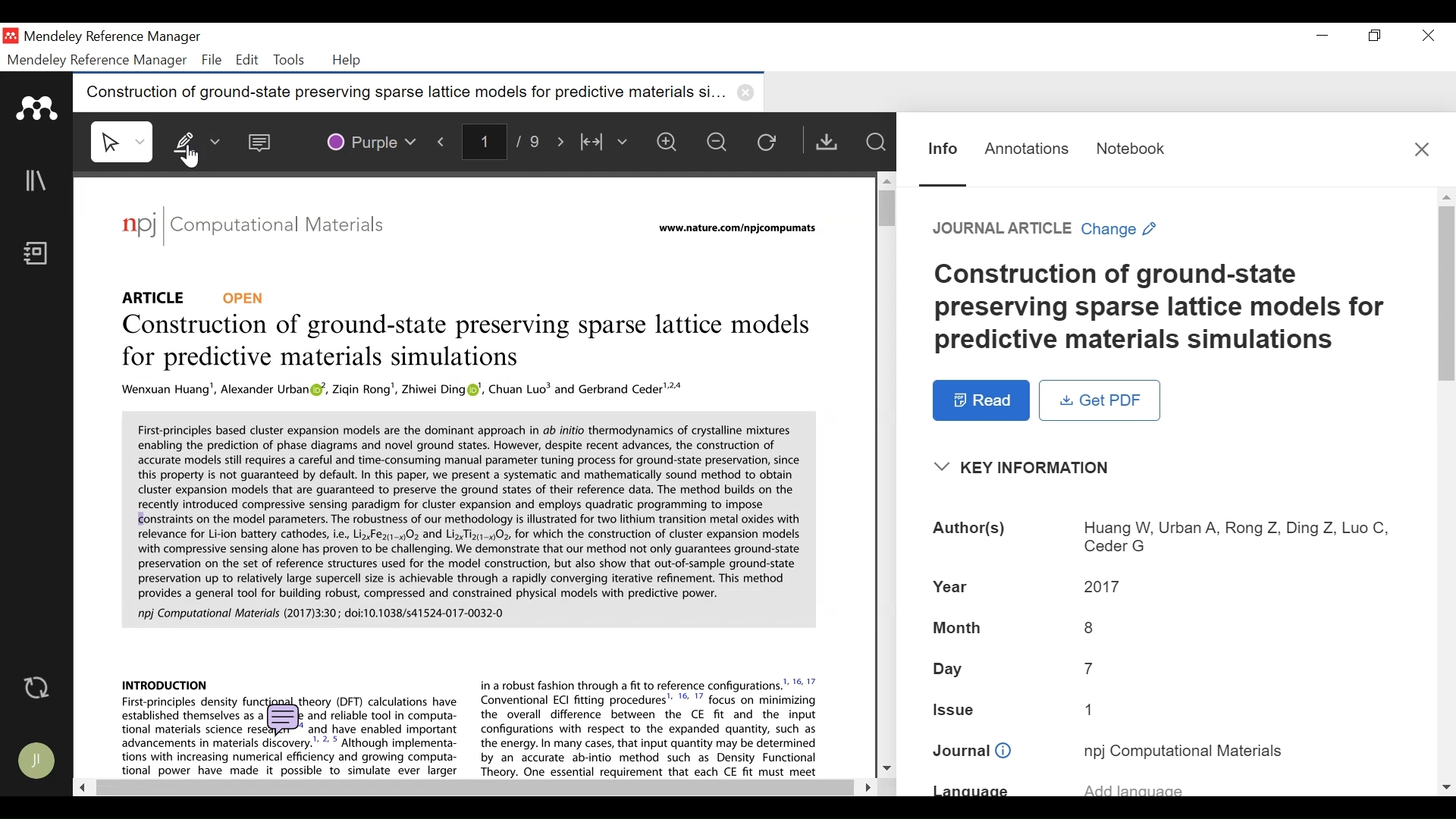 This screenshot has height=819, width=1456. What do you see at coordinates (124, 142) in the screenshot?
I see `Select` at bounding box center [124, 142].